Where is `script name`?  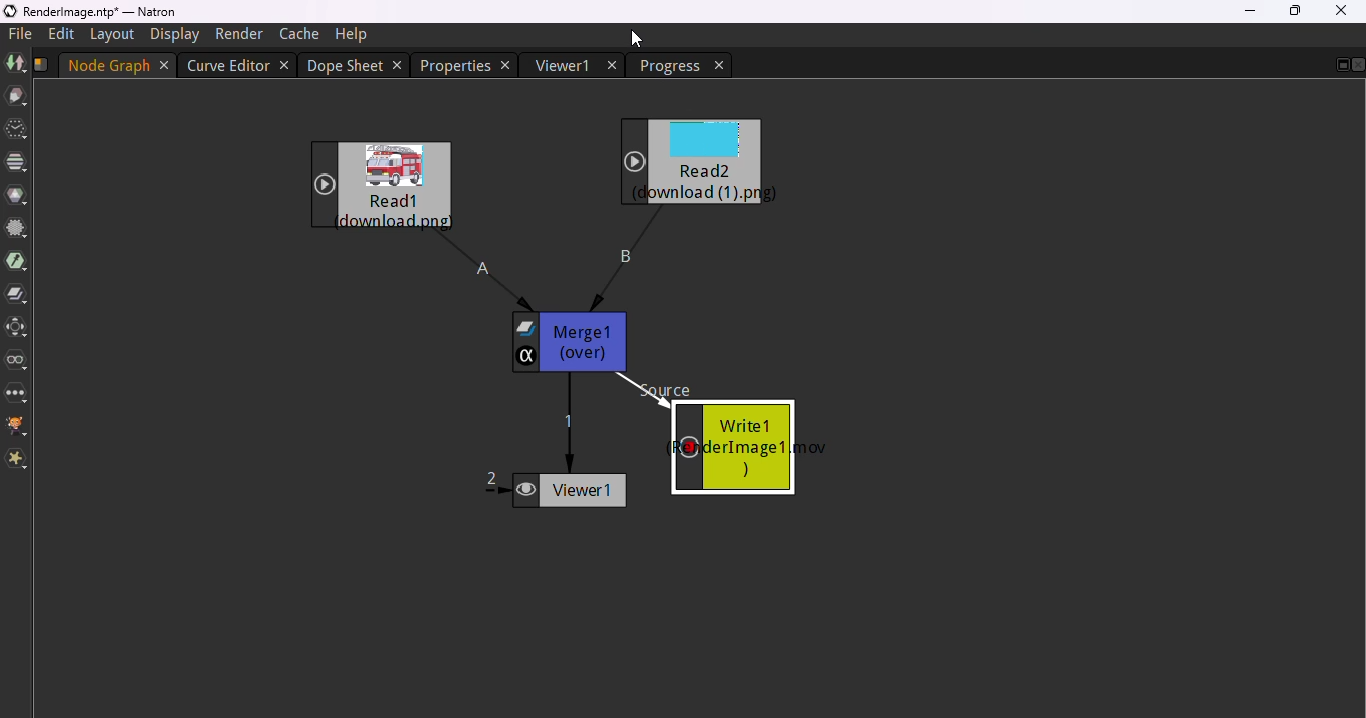
script name is located at coordinates (41, 63).